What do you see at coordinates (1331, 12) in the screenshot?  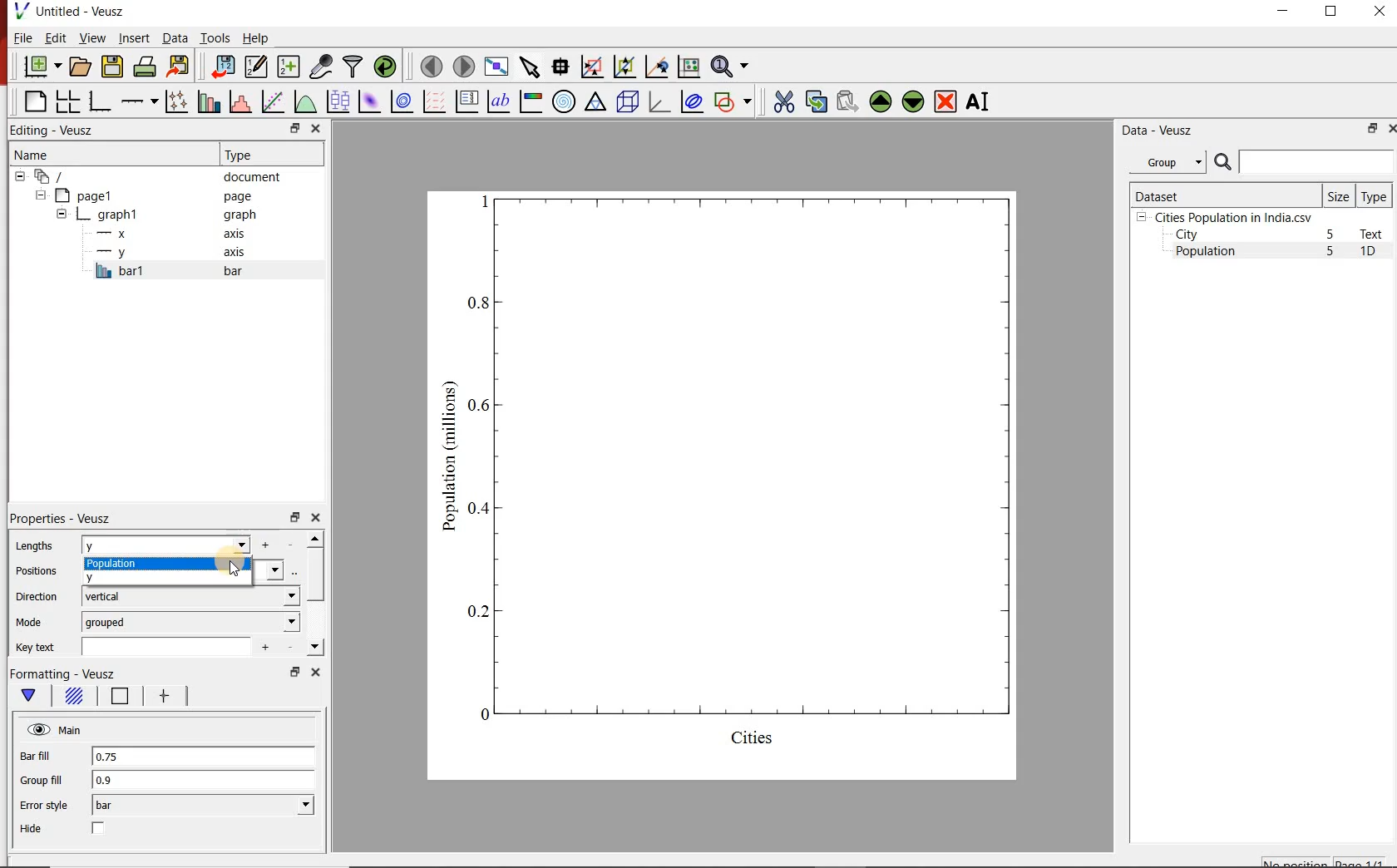 I see `RESTORE` at bounding box center [1331, 12].